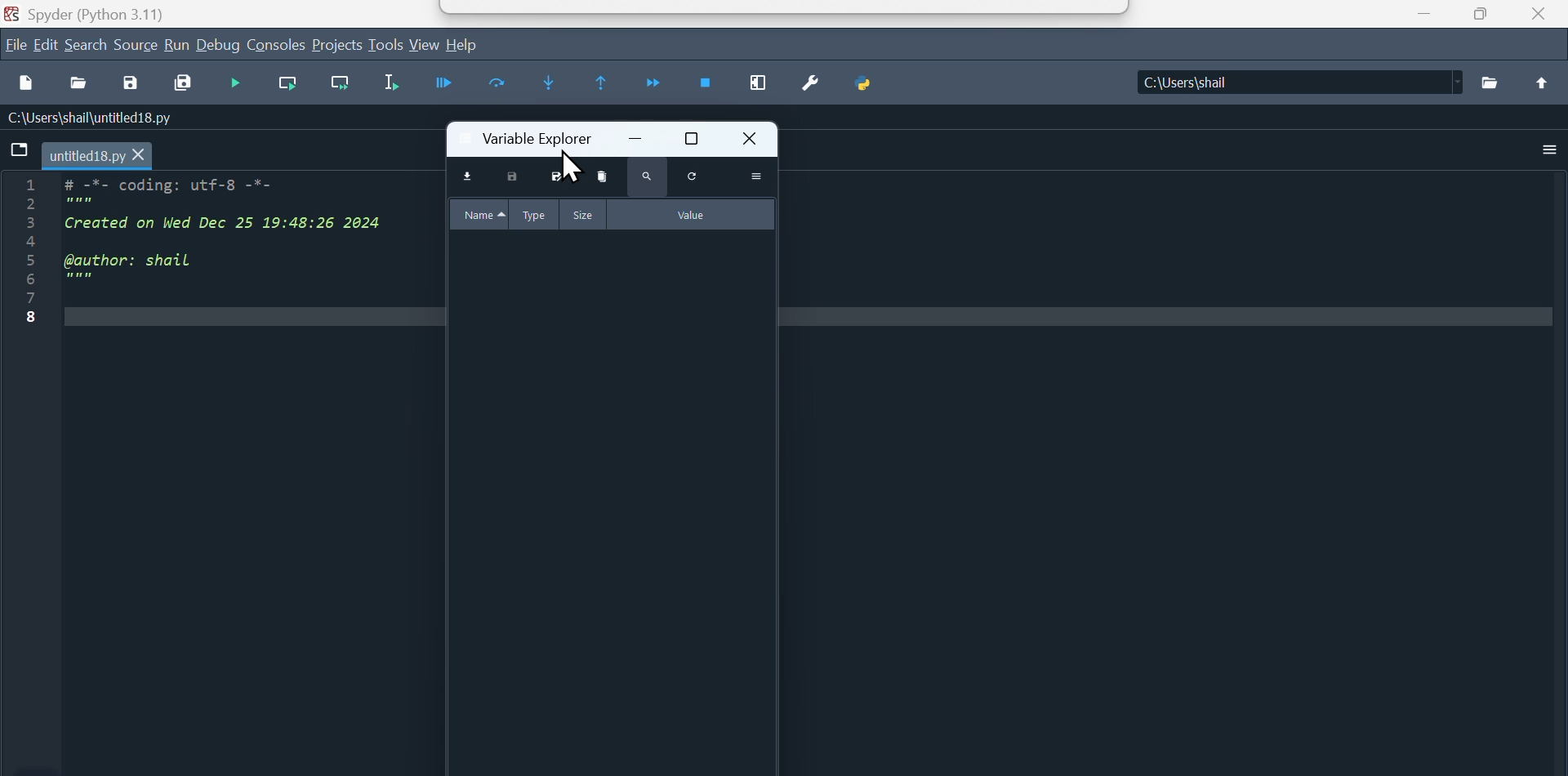 This screenshot has width=1568, height=776. I want to click on C:\users\shail\untitled18.py, so click(118, 119).